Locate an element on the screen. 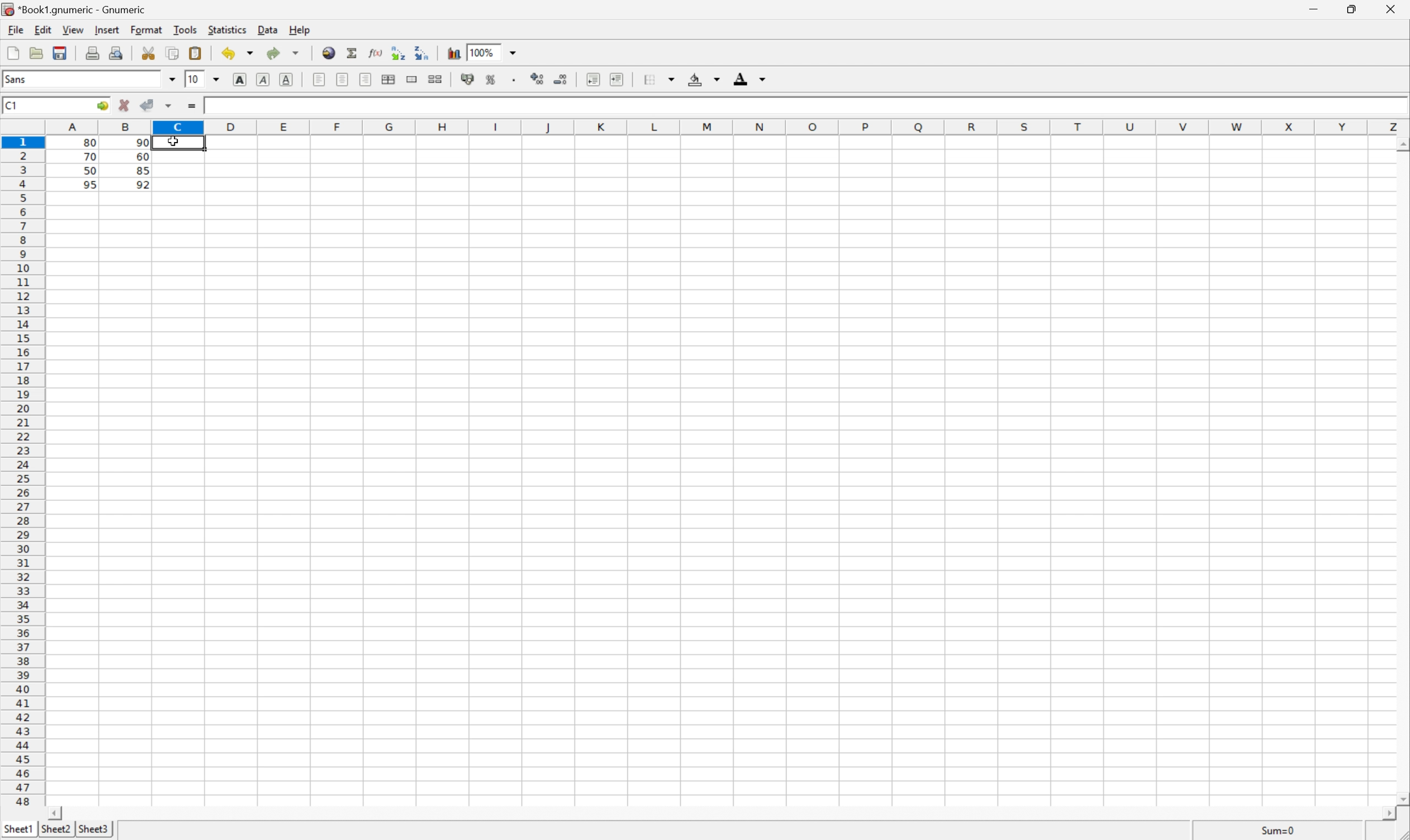  Data is located at coordinates (268, 31).